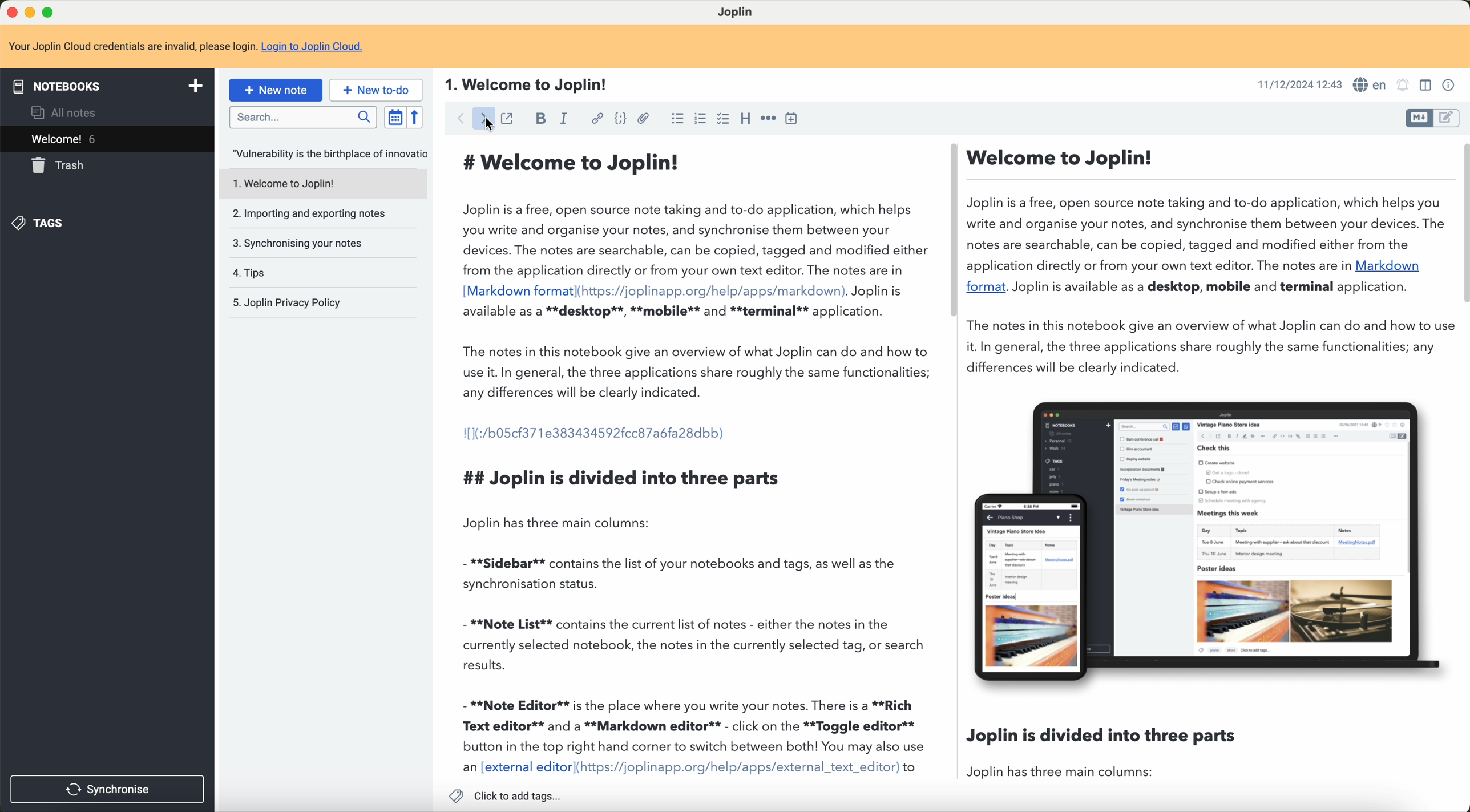 The width and height of the screenshot is (1470, 812). What do you see at coordinates (623, 475) in the screenshot?
I see `## Joplin is divided into three parts` at bounding box center [623, 475].